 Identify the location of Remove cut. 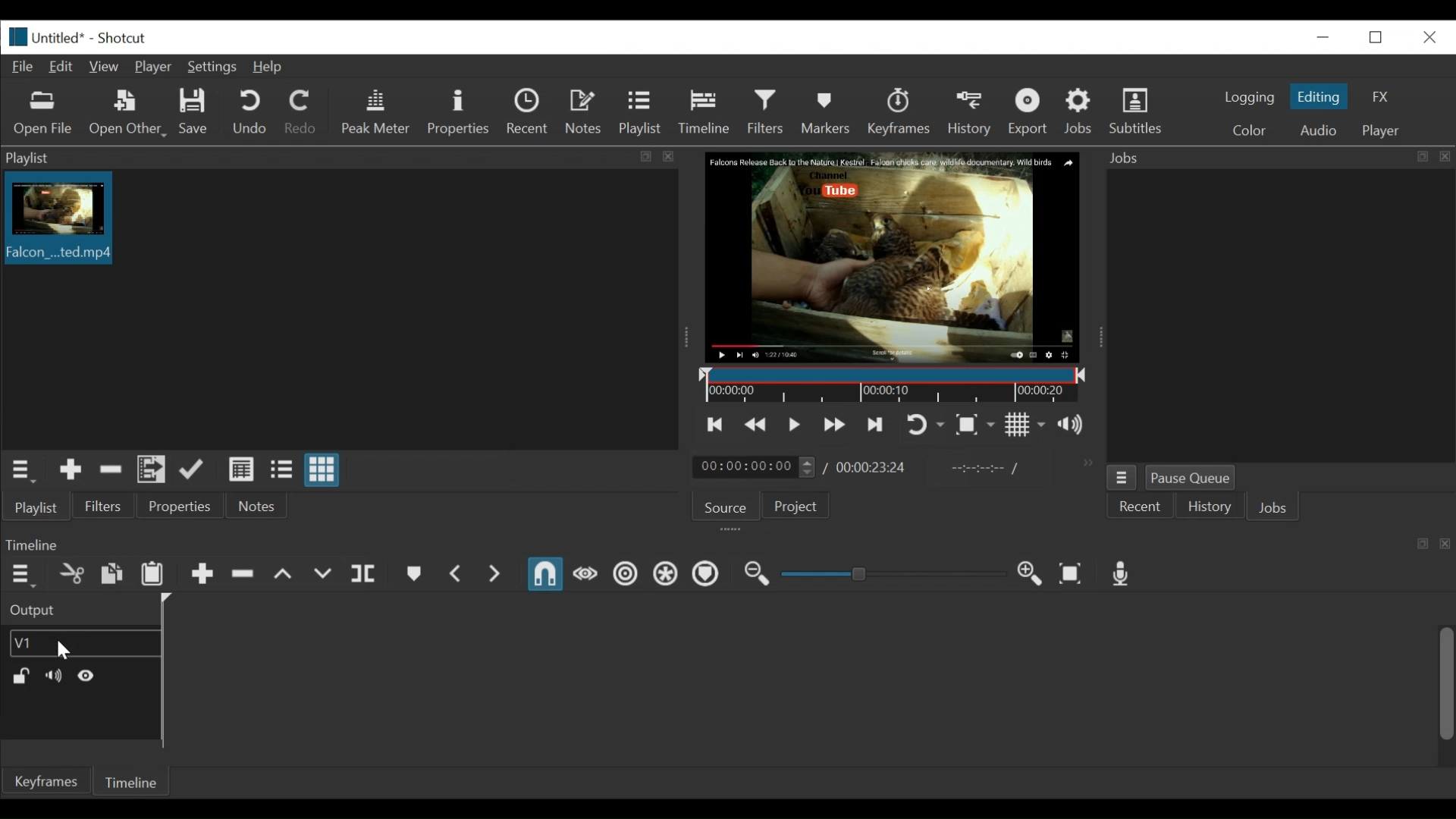
(111, 470).